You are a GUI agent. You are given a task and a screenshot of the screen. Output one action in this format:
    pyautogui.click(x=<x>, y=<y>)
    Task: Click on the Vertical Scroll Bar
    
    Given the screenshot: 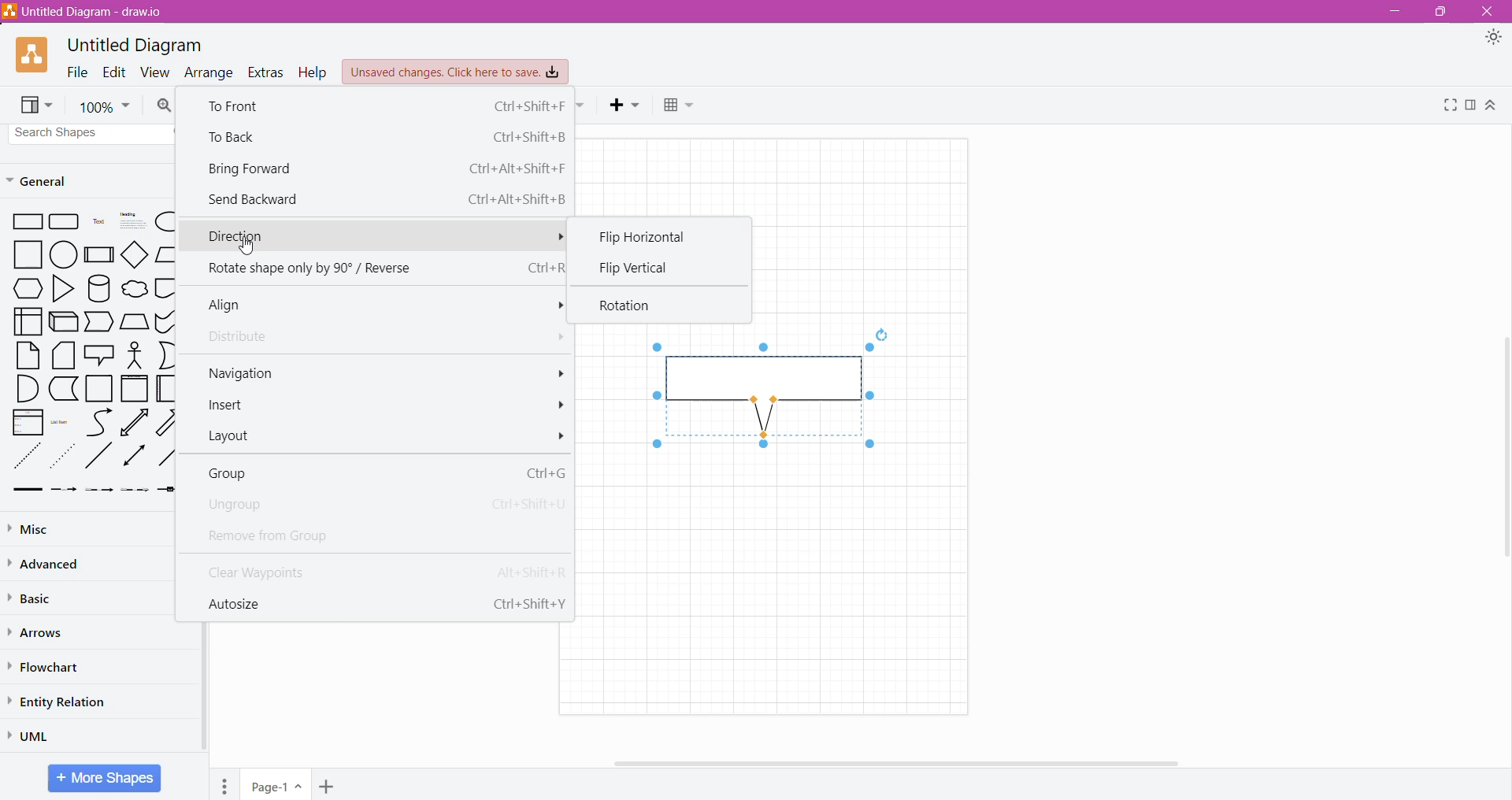 What is the action you would take?
    pyautogui.click(x=204, y=687)
    